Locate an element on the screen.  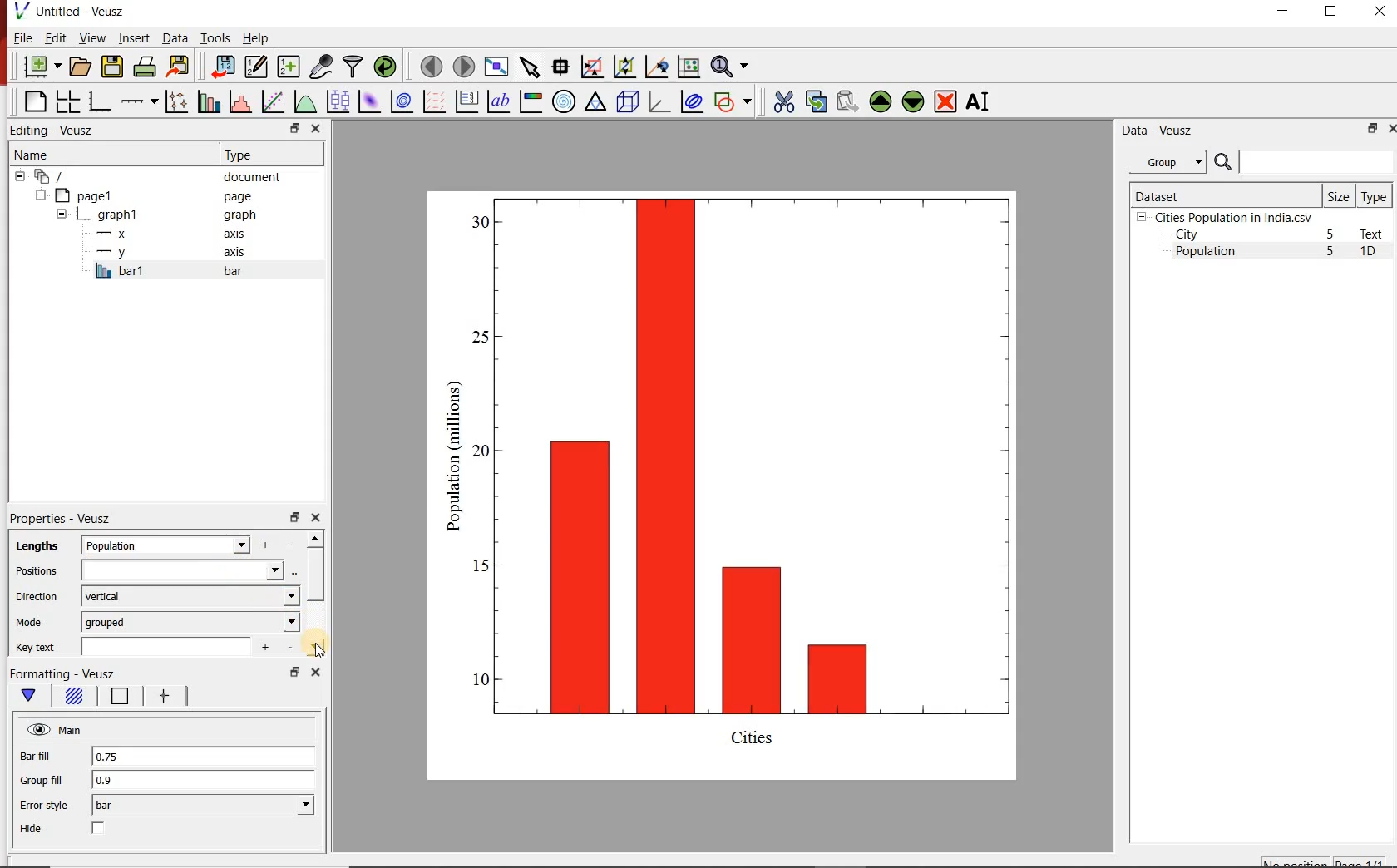
read data points on the graph is located at coordinates (560, 65).